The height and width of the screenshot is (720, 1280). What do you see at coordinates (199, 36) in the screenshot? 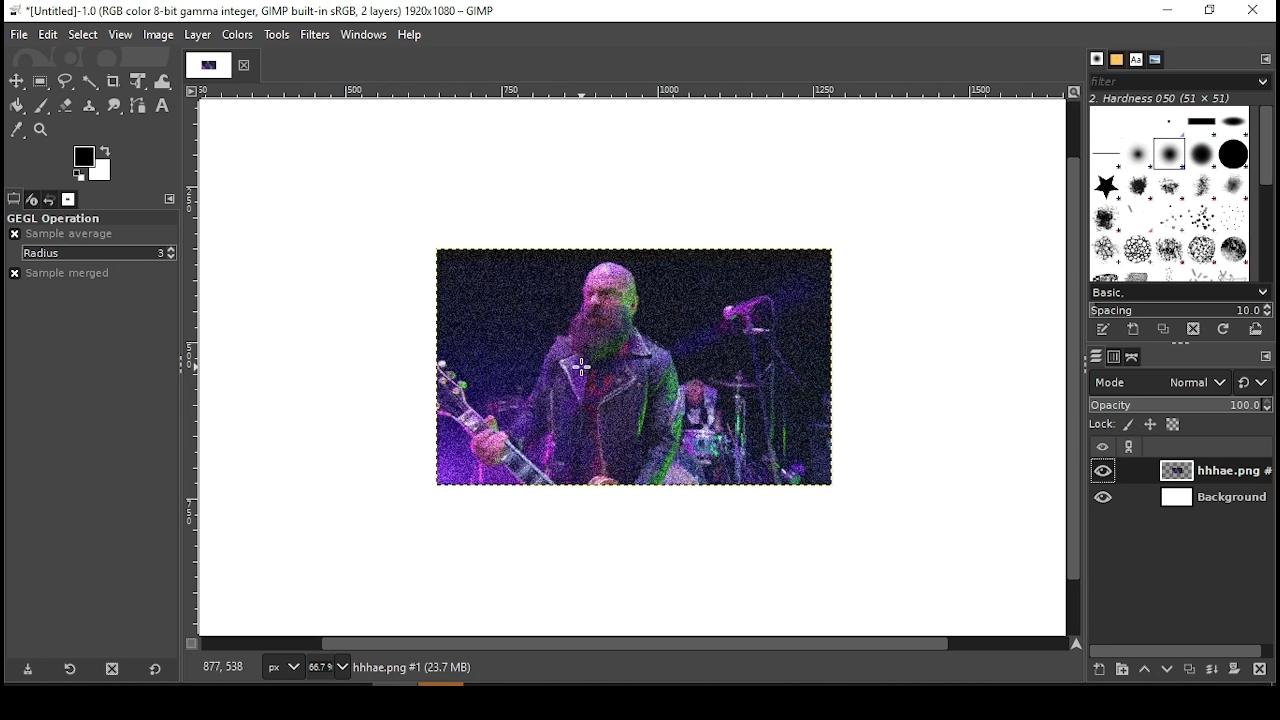
I see `layer` at bounding box center [199, 36].